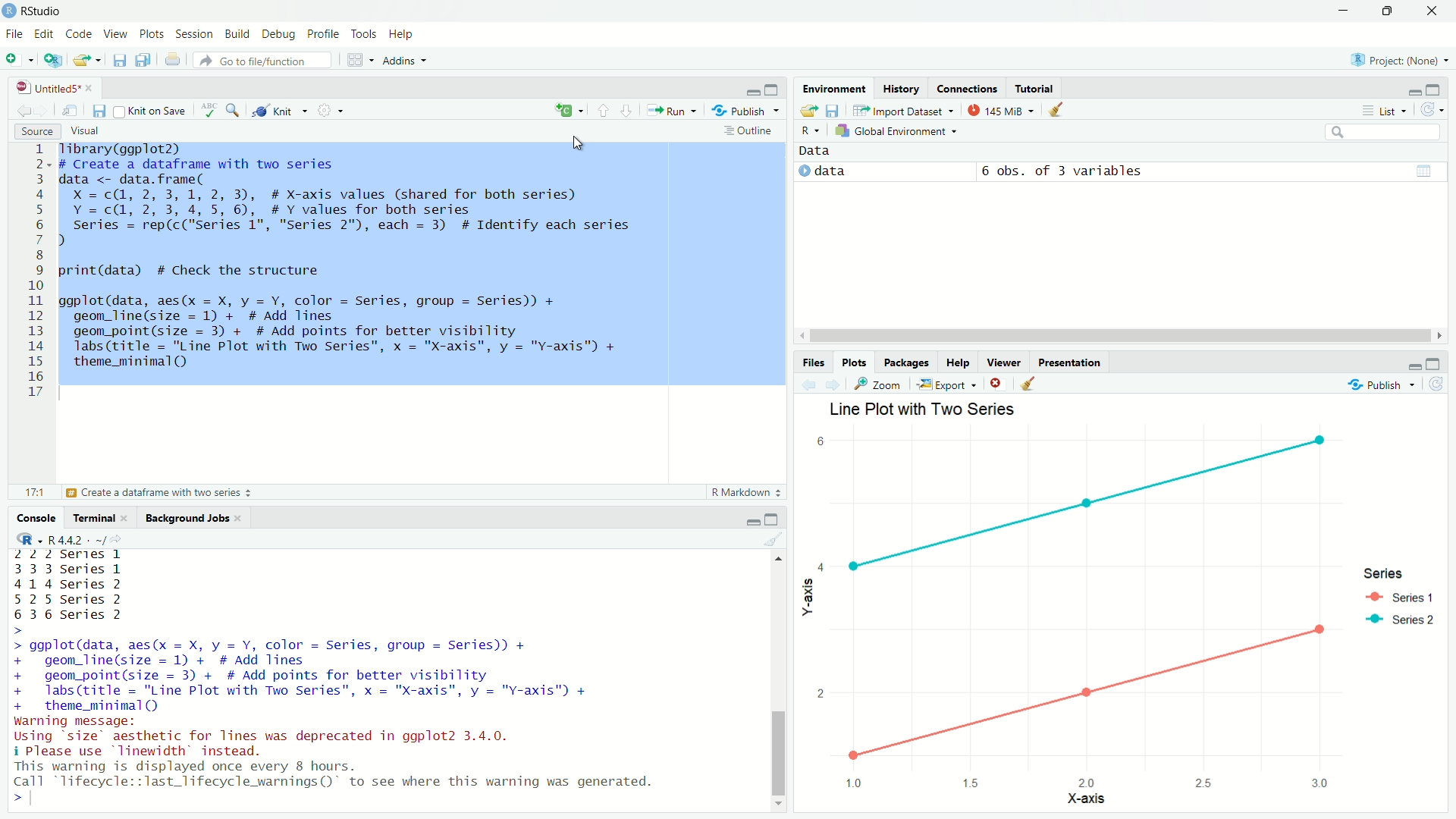 This screenshot has width=1456, height=819. What do you see at coordinates (281, 111) in the screenshot?
I see `Knit` at bounding box center [281, 111].